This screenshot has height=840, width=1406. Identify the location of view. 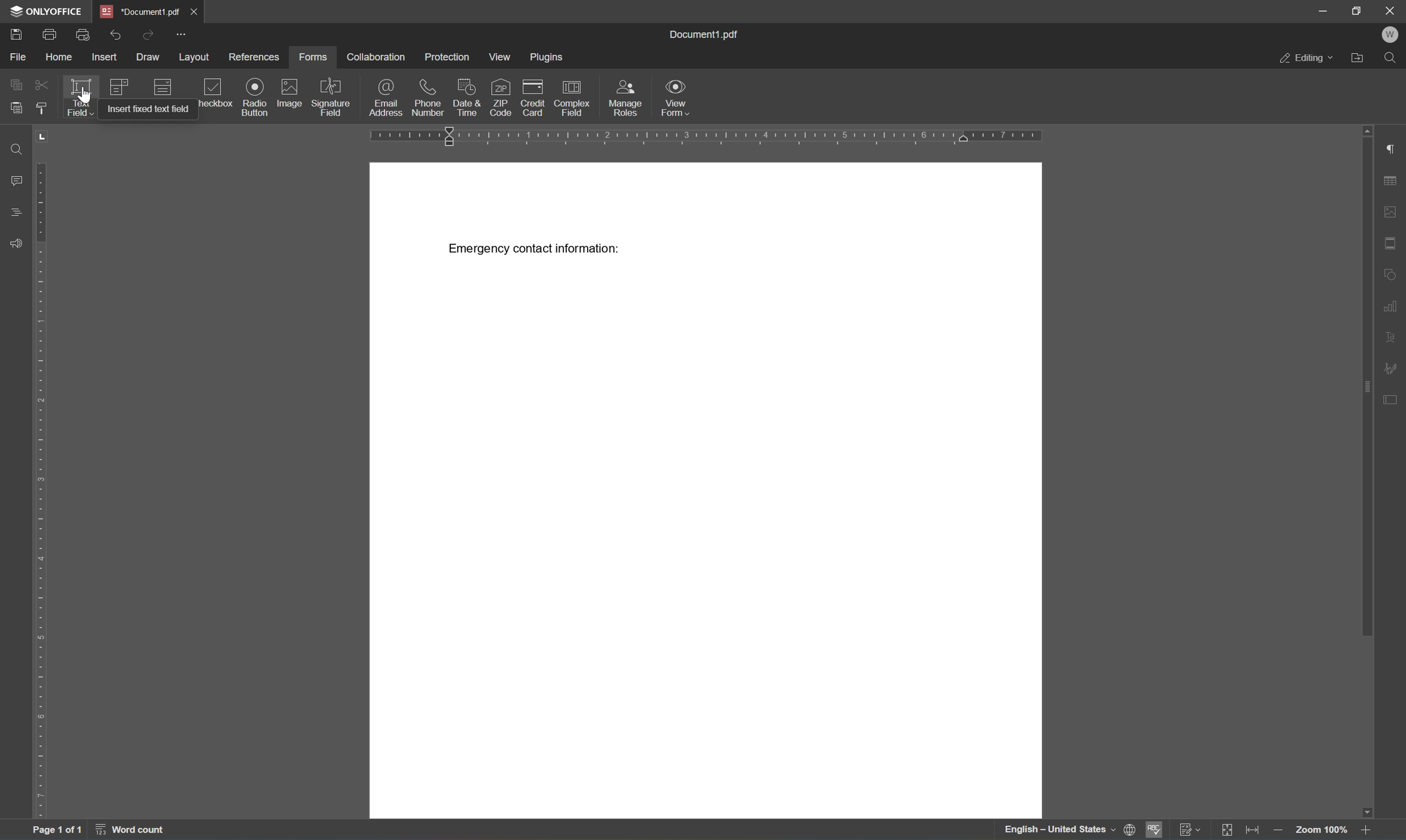
(503, 58).